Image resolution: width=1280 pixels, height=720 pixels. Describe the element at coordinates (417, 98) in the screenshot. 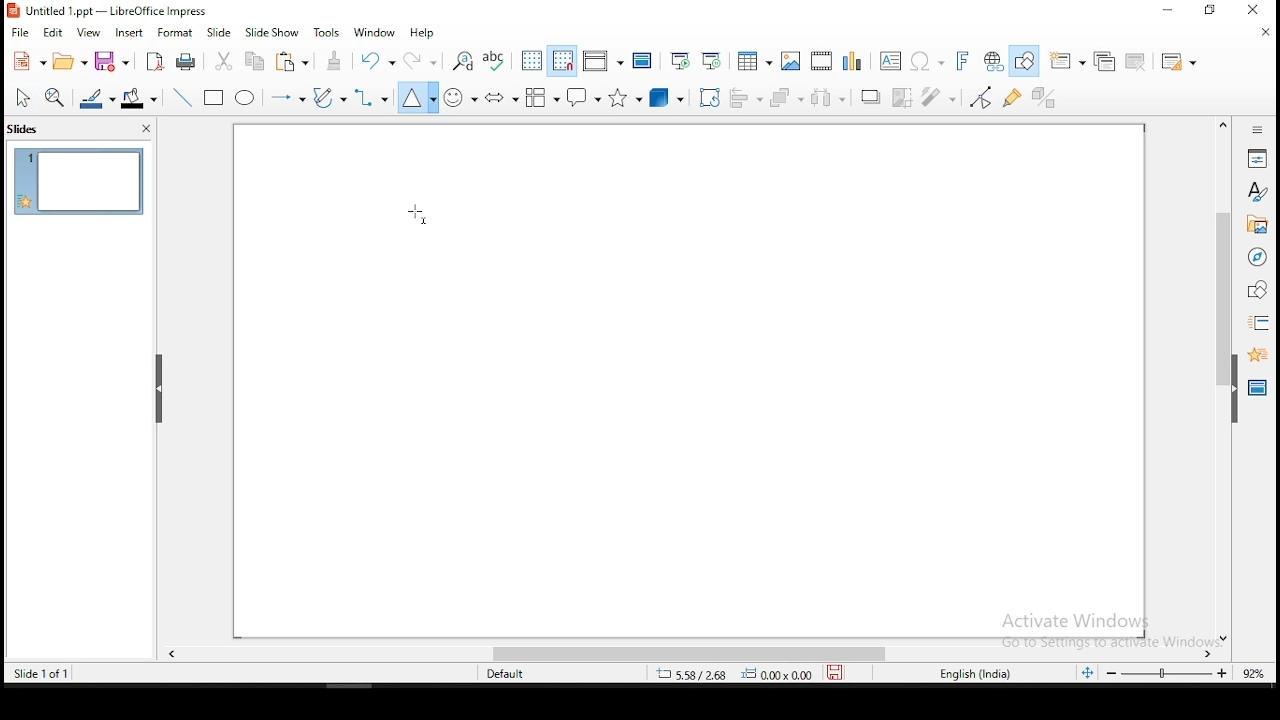

I see `basic shapes` at that location.